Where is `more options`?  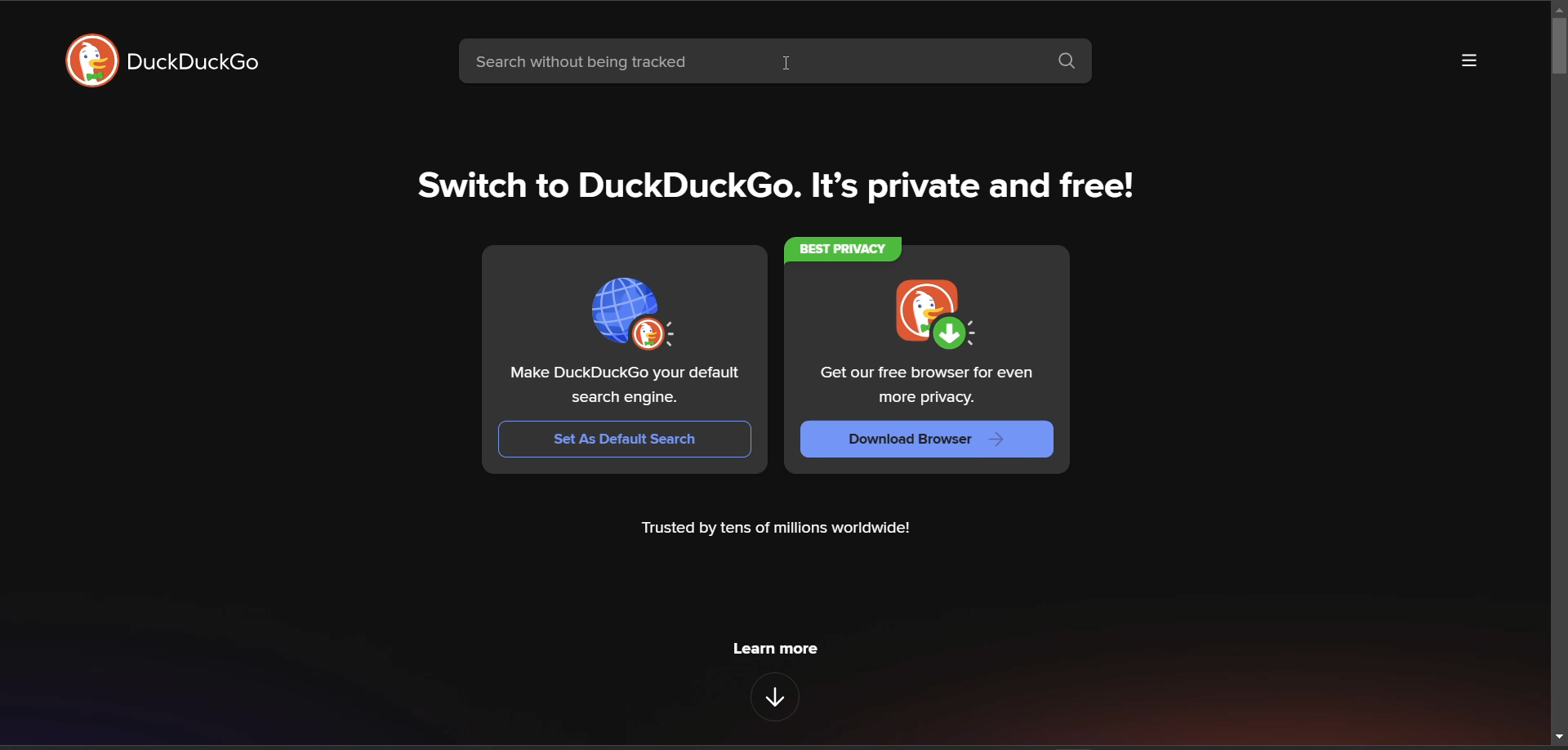 more options is located at coordinates (1469, 61).